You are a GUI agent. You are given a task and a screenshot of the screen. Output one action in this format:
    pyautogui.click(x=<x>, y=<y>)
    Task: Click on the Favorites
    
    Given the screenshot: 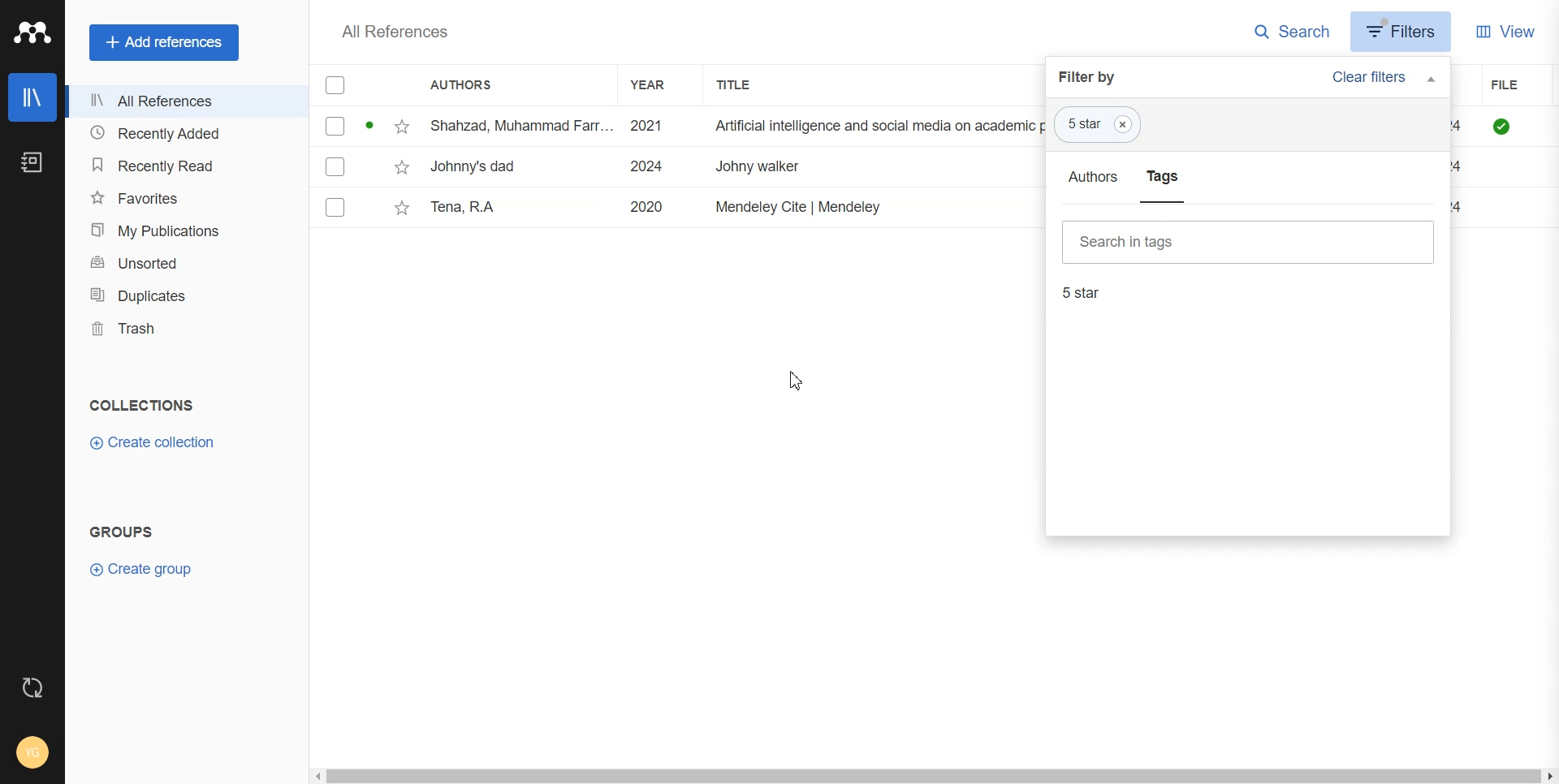 What is the action you would take?
    pyautogui.click(x=183, y=196)
    